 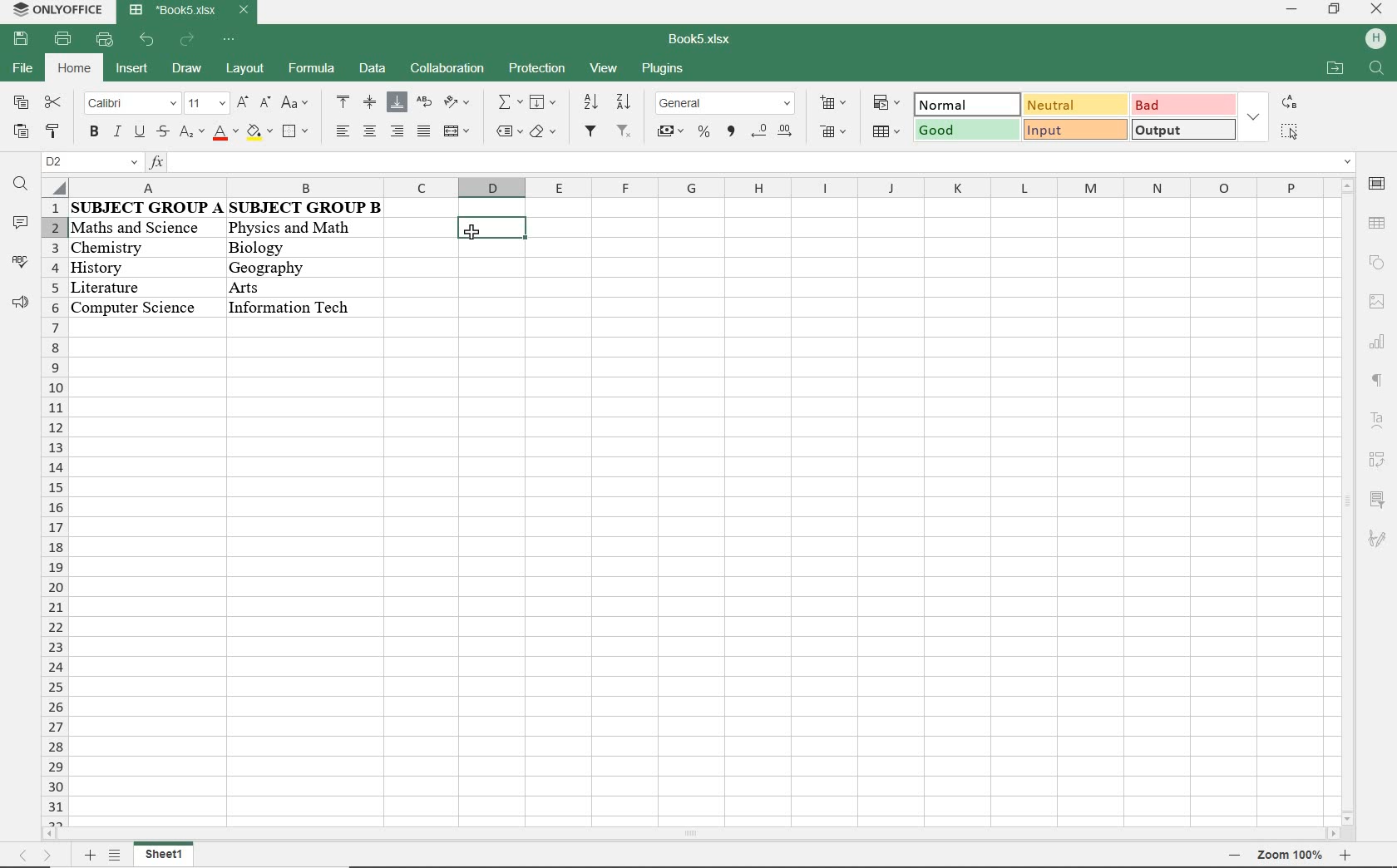 What do you see at coordinates (508, 131) in the screenshot?
I see `named ranges` at bounding box center [508, 131].